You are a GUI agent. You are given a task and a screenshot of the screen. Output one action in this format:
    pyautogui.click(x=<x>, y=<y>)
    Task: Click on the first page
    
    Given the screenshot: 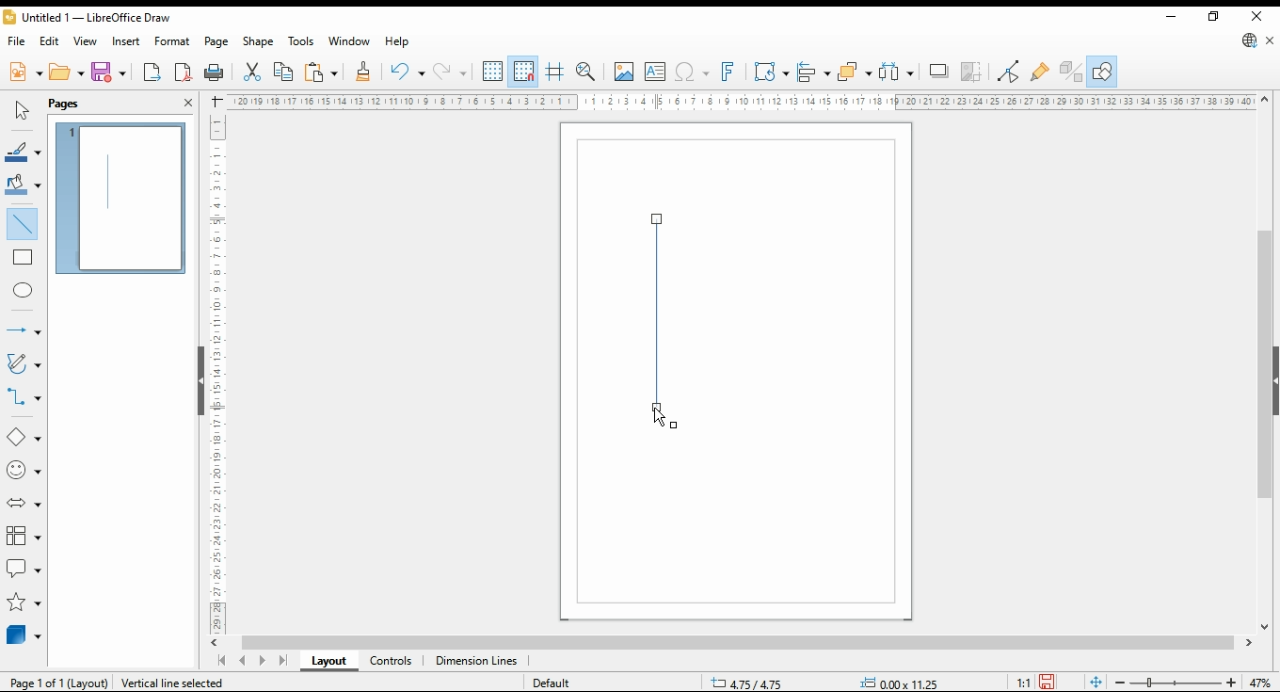 What is the action you would take?
    pyautogui.click(x=221, y=661)
    